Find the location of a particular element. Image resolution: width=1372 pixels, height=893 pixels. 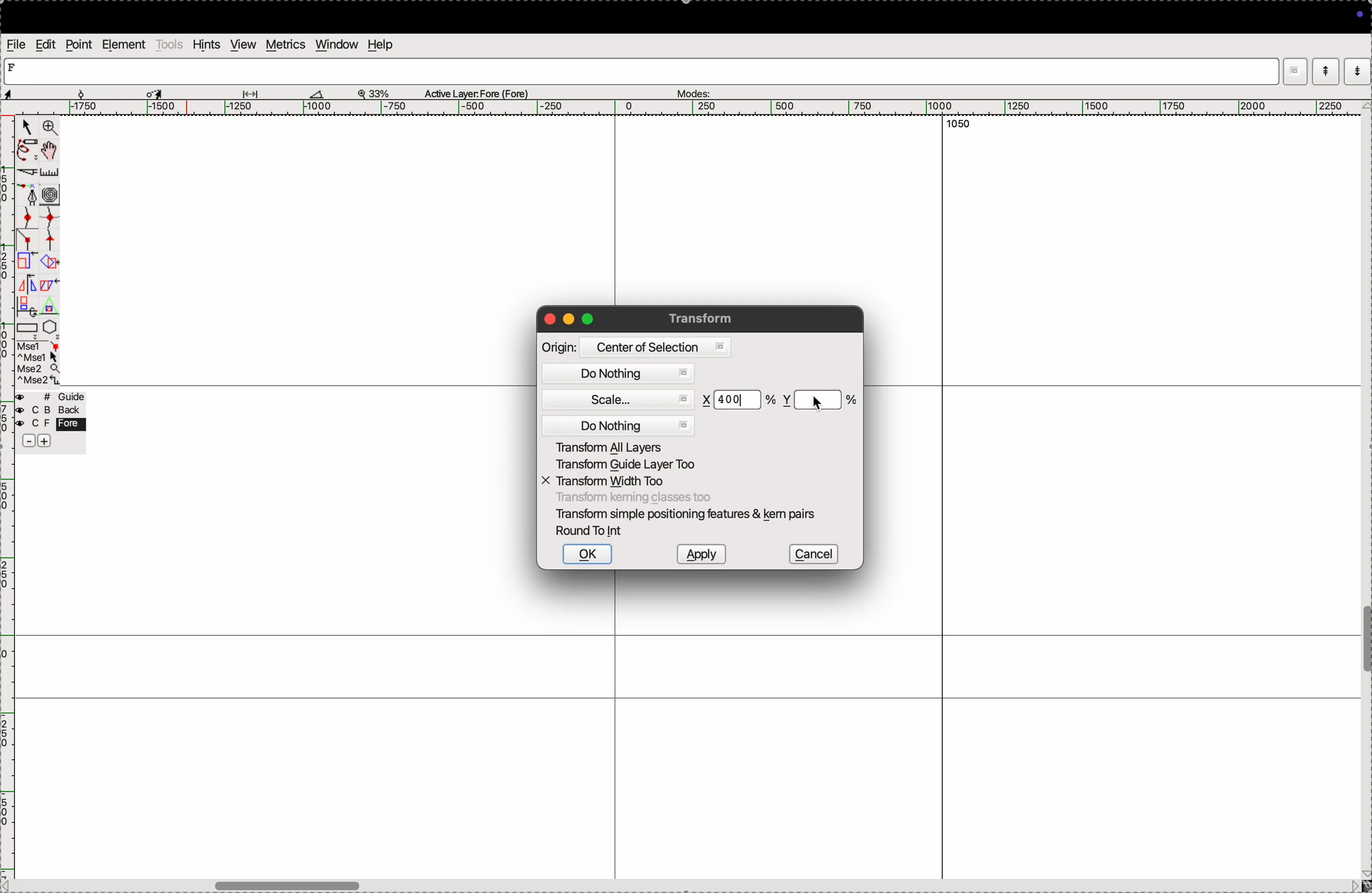

edit is located at coordinates (47, 44).